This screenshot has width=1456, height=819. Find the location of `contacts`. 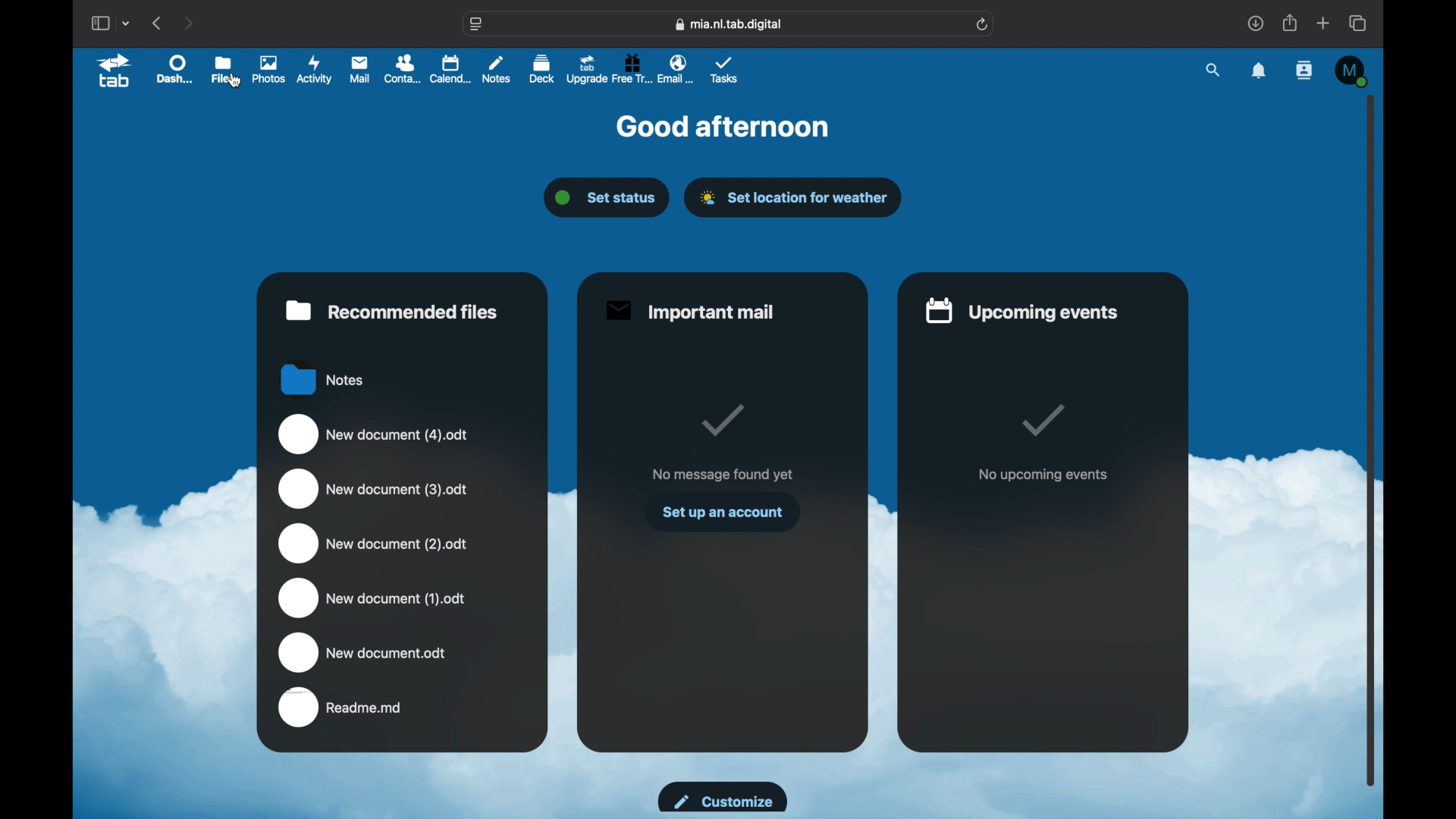

contacts is located at coordinates (1303, 71).